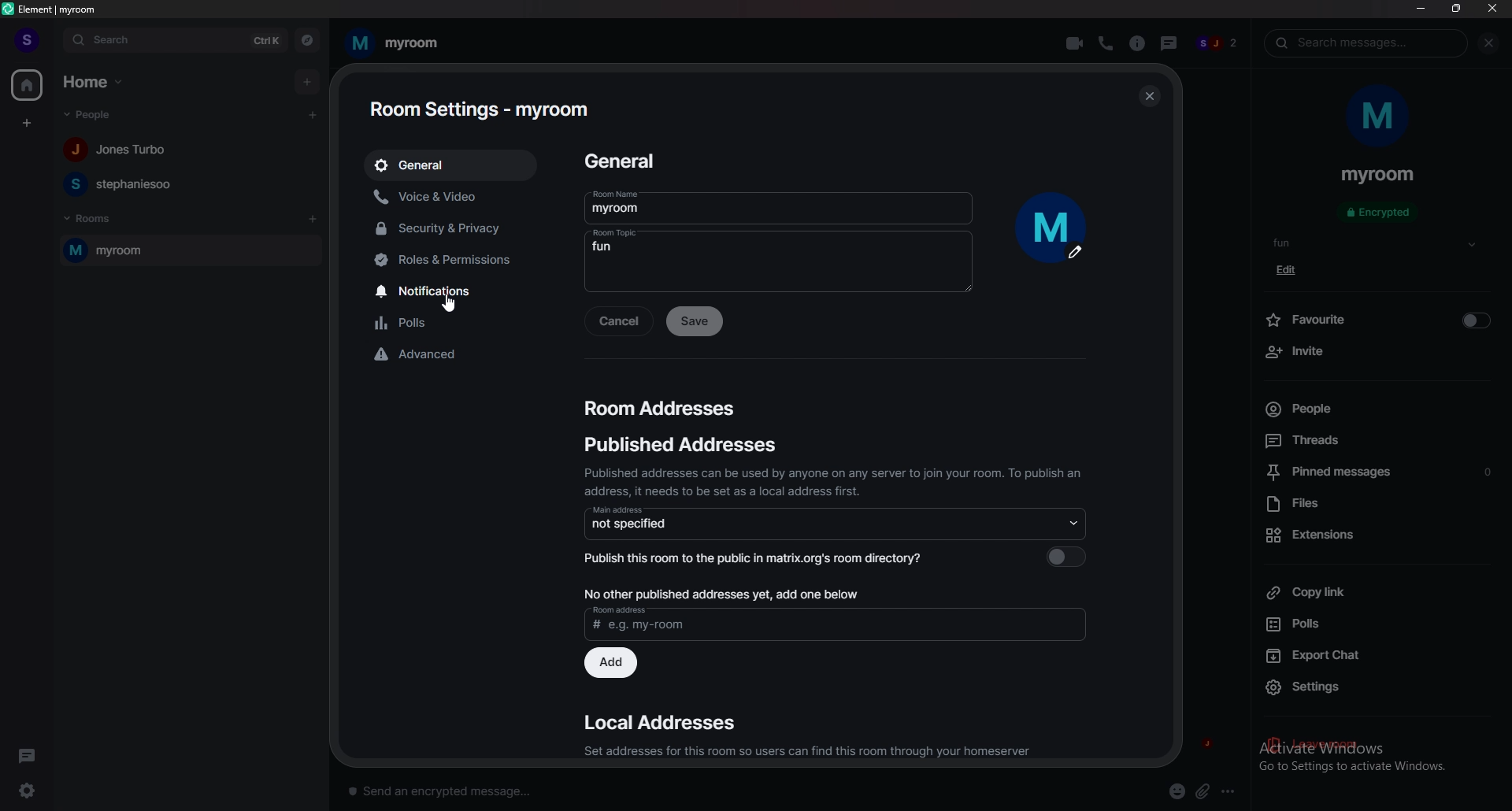 This screenshot has height=811, width=1512. I want to click on home, so click(94, 83).